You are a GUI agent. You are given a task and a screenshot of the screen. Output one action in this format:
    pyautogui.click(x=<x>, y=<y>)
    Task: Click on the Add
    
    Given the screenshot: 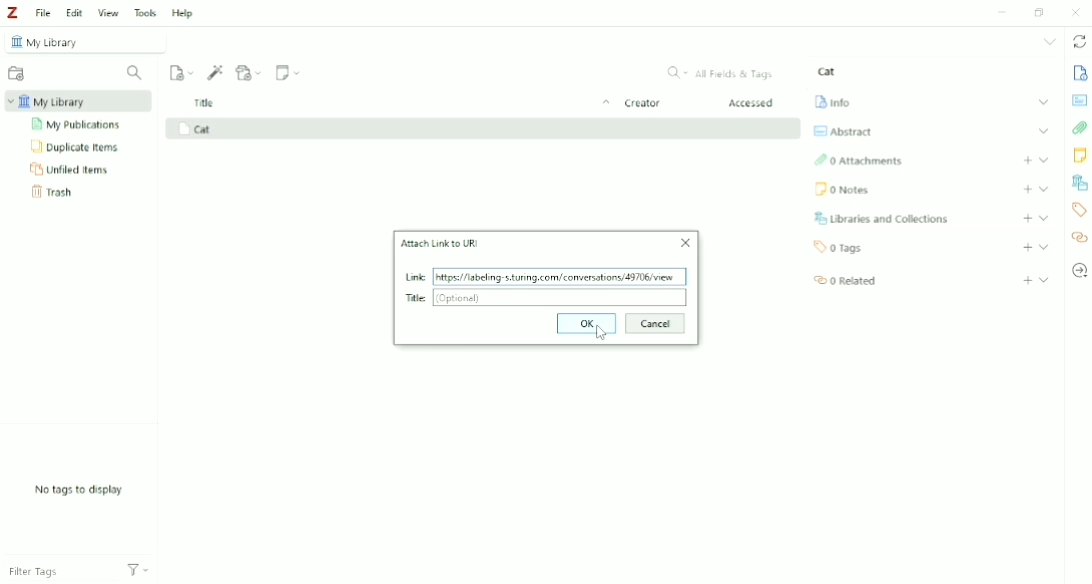 What is the action you would take?
    pyautogui.click(x=1028, y=160)
    